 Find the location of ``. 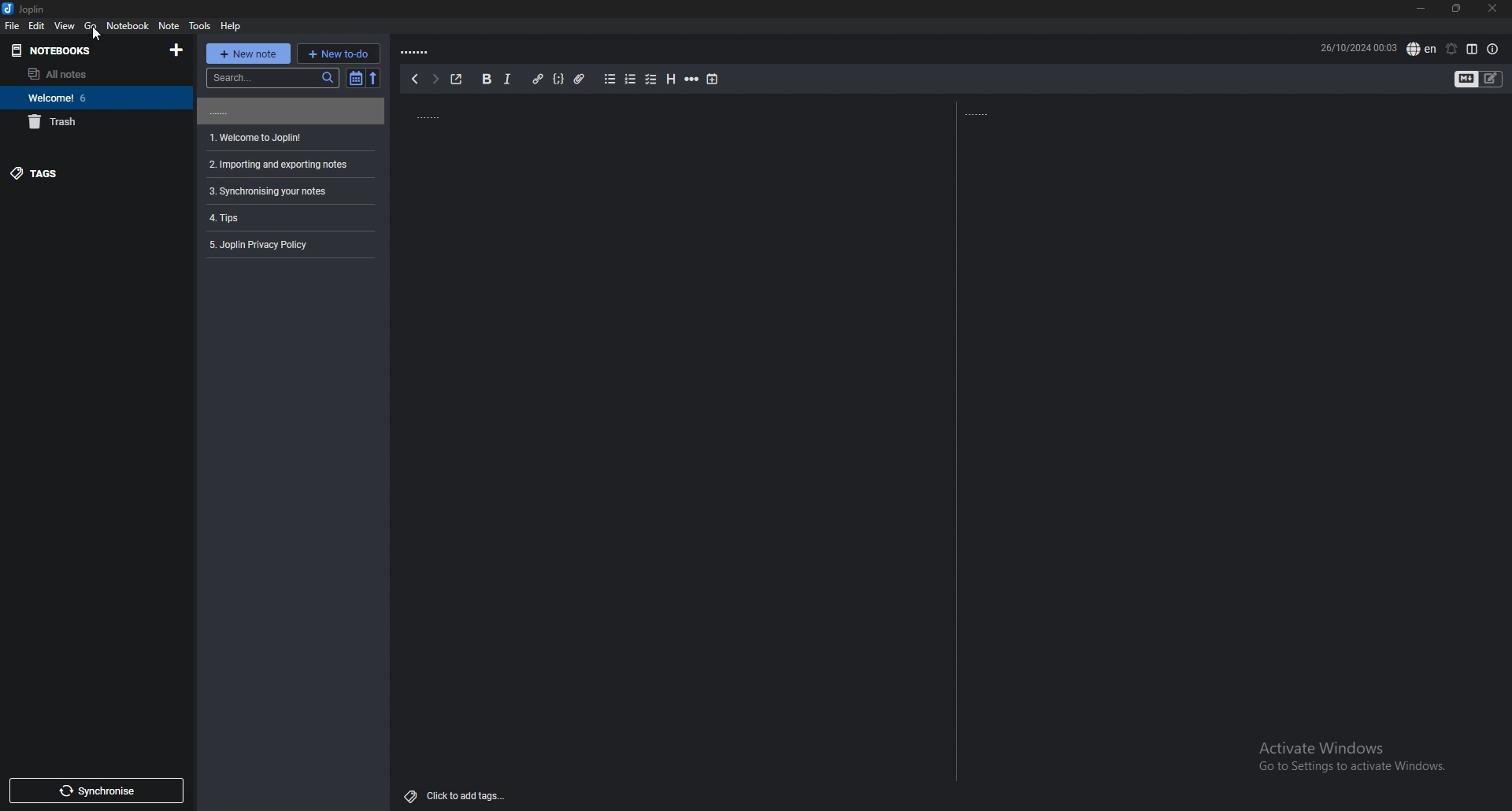

 is located at coordinates (1346, 757).